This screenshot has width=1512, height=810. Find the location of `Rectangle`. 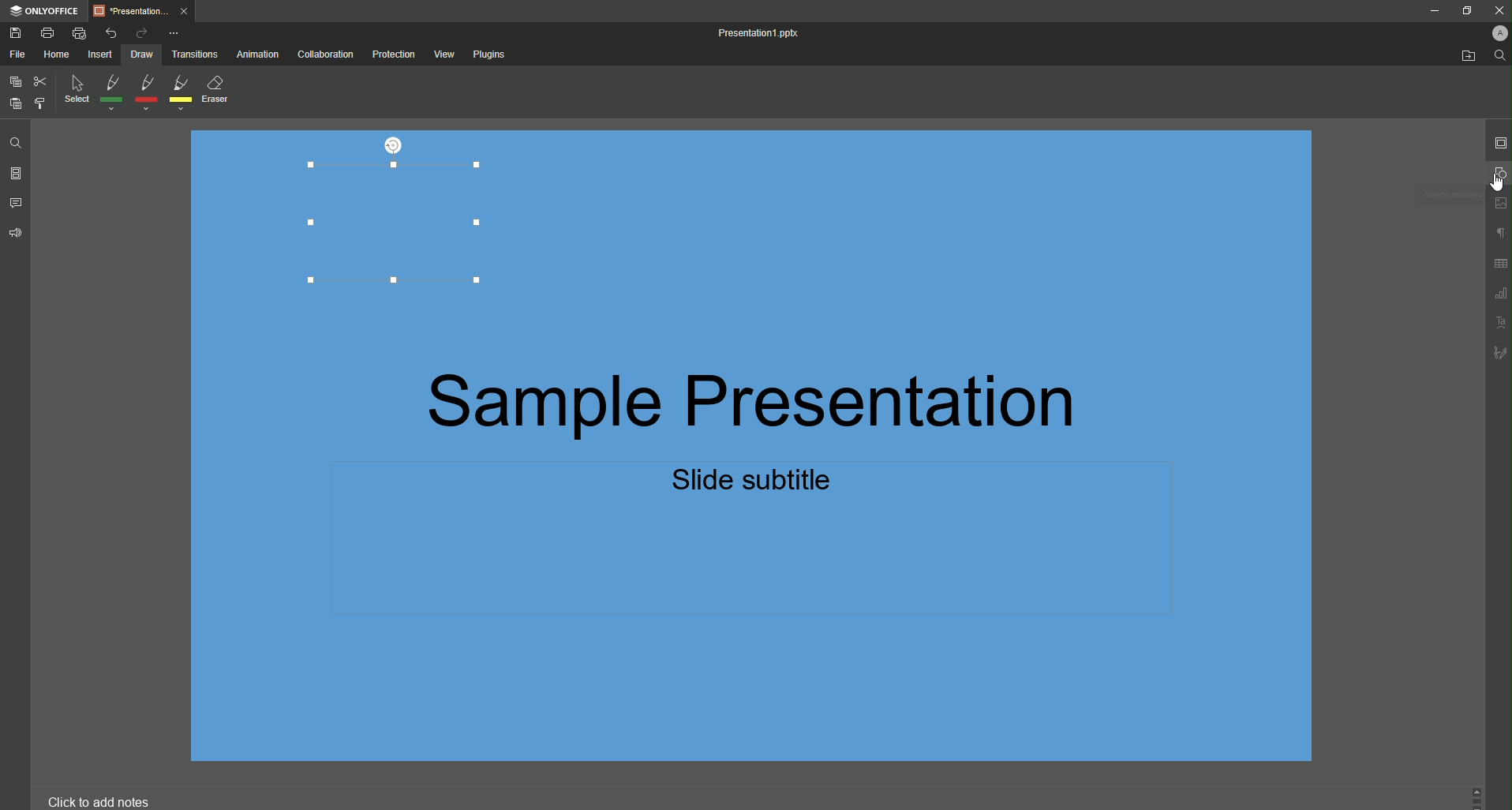

Rectangle is located at coordinates (396, 220).